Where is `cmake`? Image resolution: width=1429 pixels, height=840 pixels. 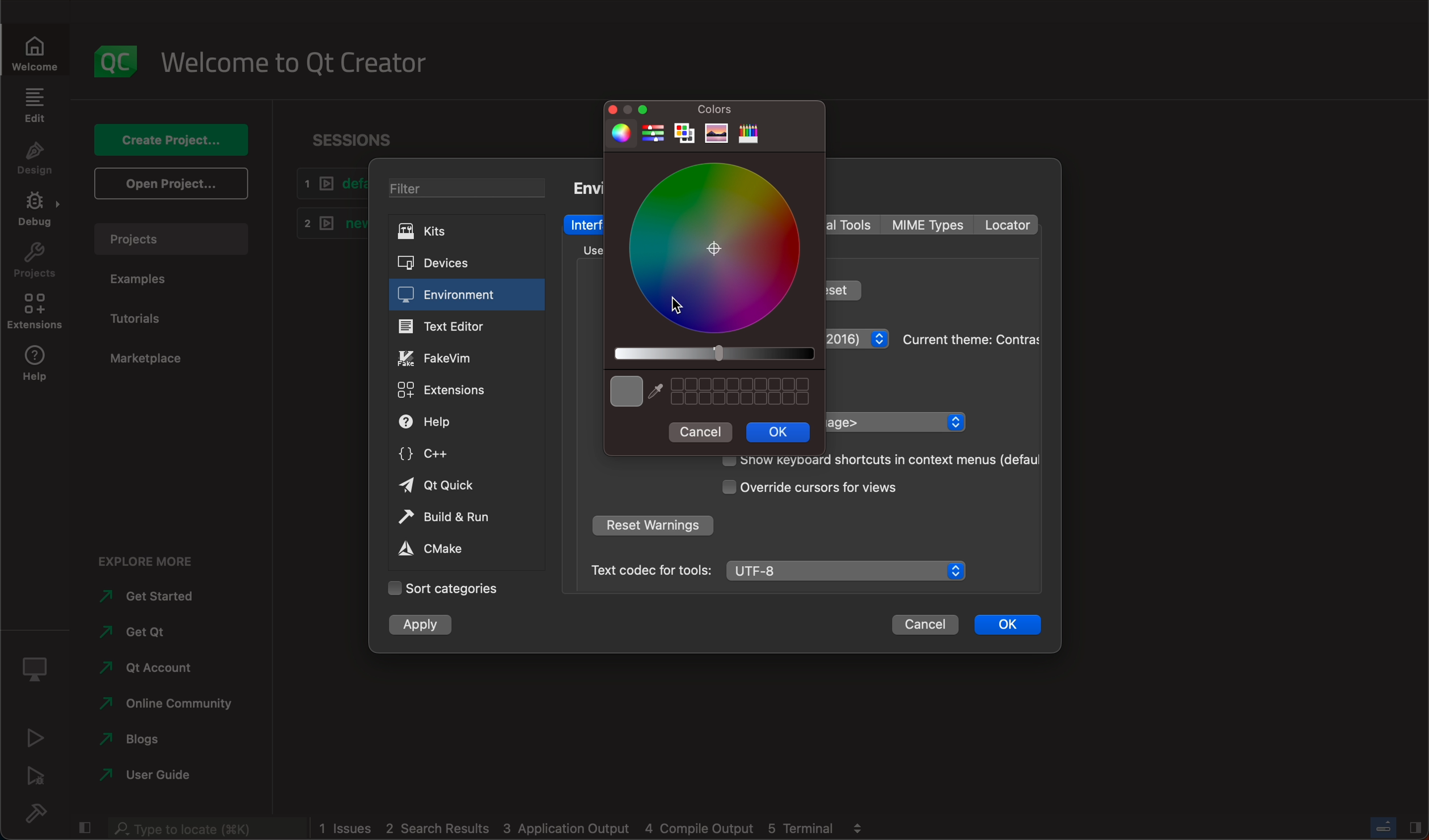 cmake is located at coordinates (458, 549).